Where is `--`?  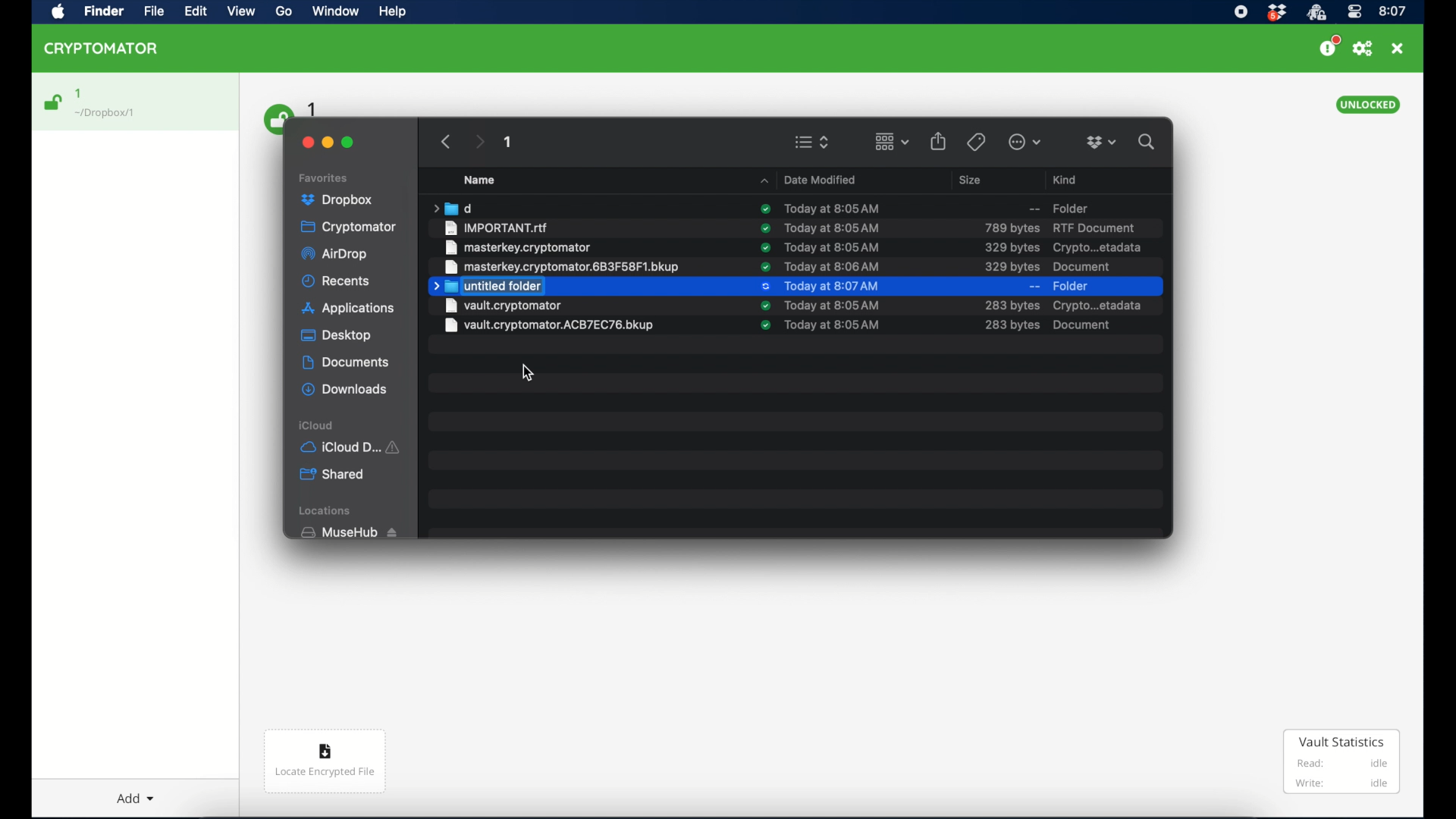 -- is located at coordinates (1034, 287).